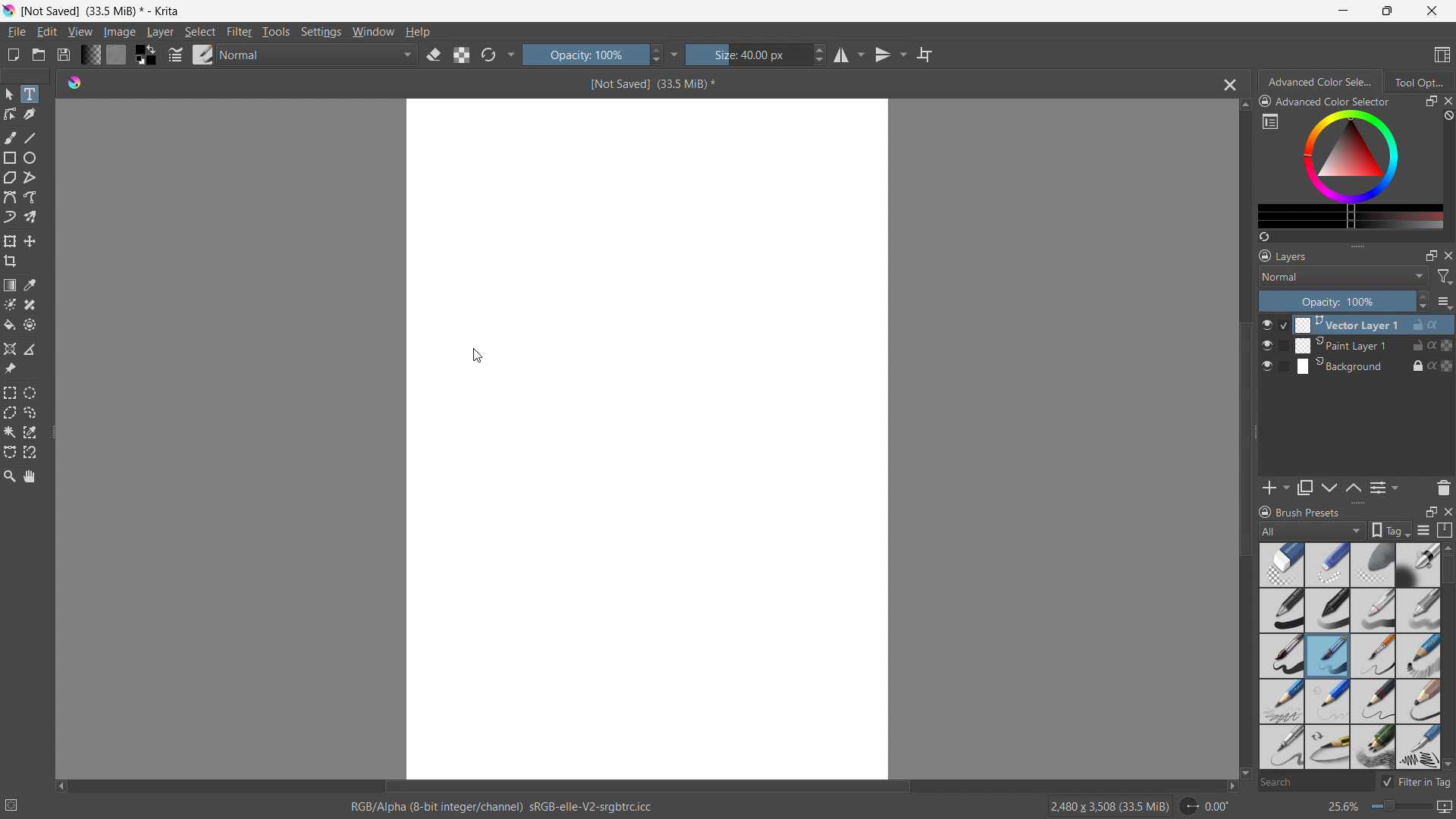 The width and height of the screenshot is (1456, 819). Describe the element at coordinates (1322, 82) in the screenshot. I see `advanced color selection` at that location.